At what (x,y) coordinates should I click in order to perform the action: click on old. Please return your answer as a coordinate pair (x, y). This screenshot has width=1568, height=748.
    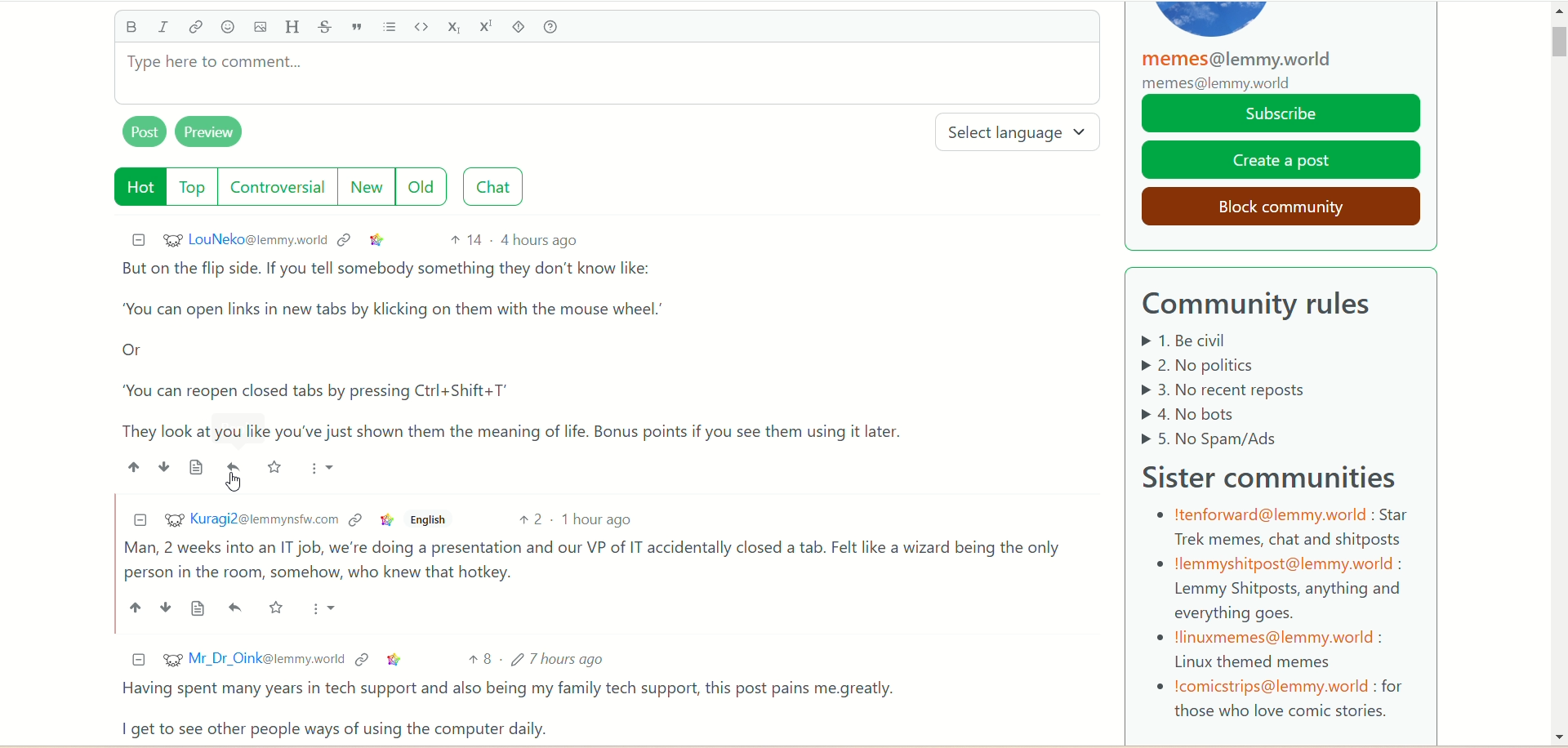
    Looking at the image, I should click on (429, 188).